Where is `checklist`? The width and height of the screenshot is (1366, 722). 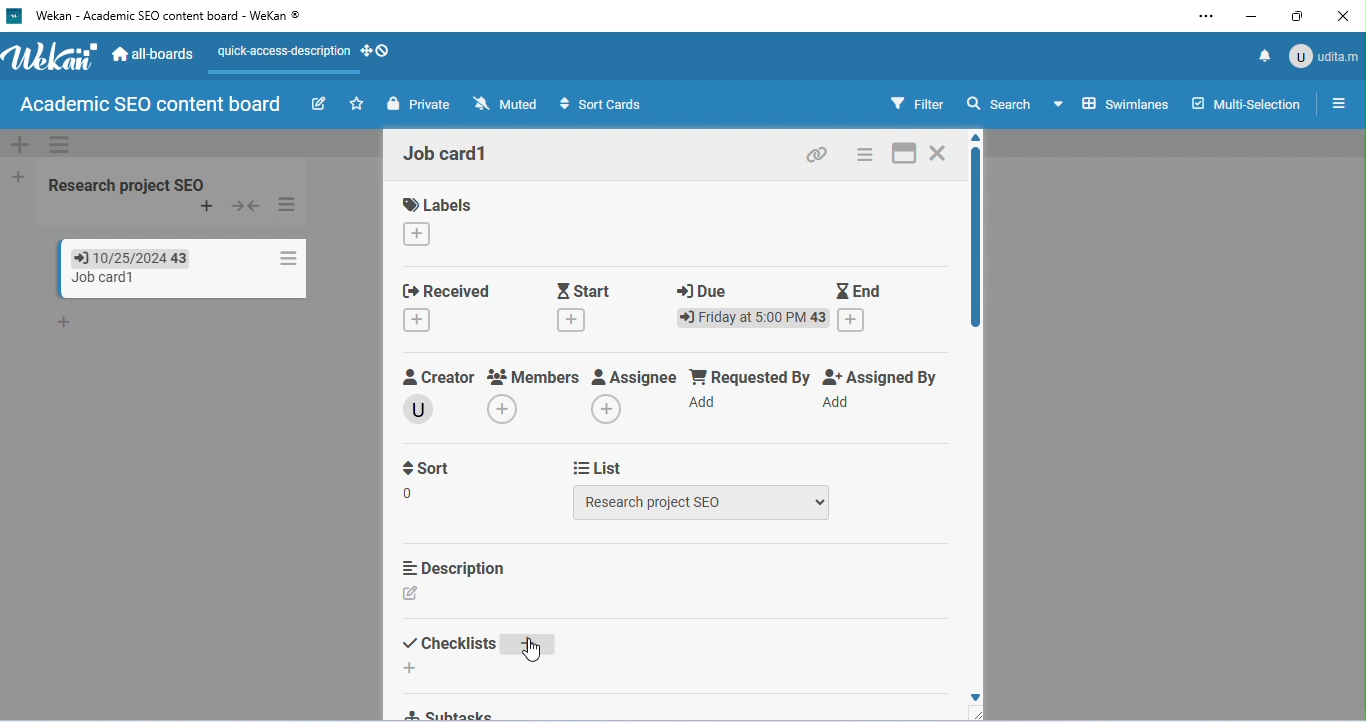
checklist is located at coordinates (450, 644).